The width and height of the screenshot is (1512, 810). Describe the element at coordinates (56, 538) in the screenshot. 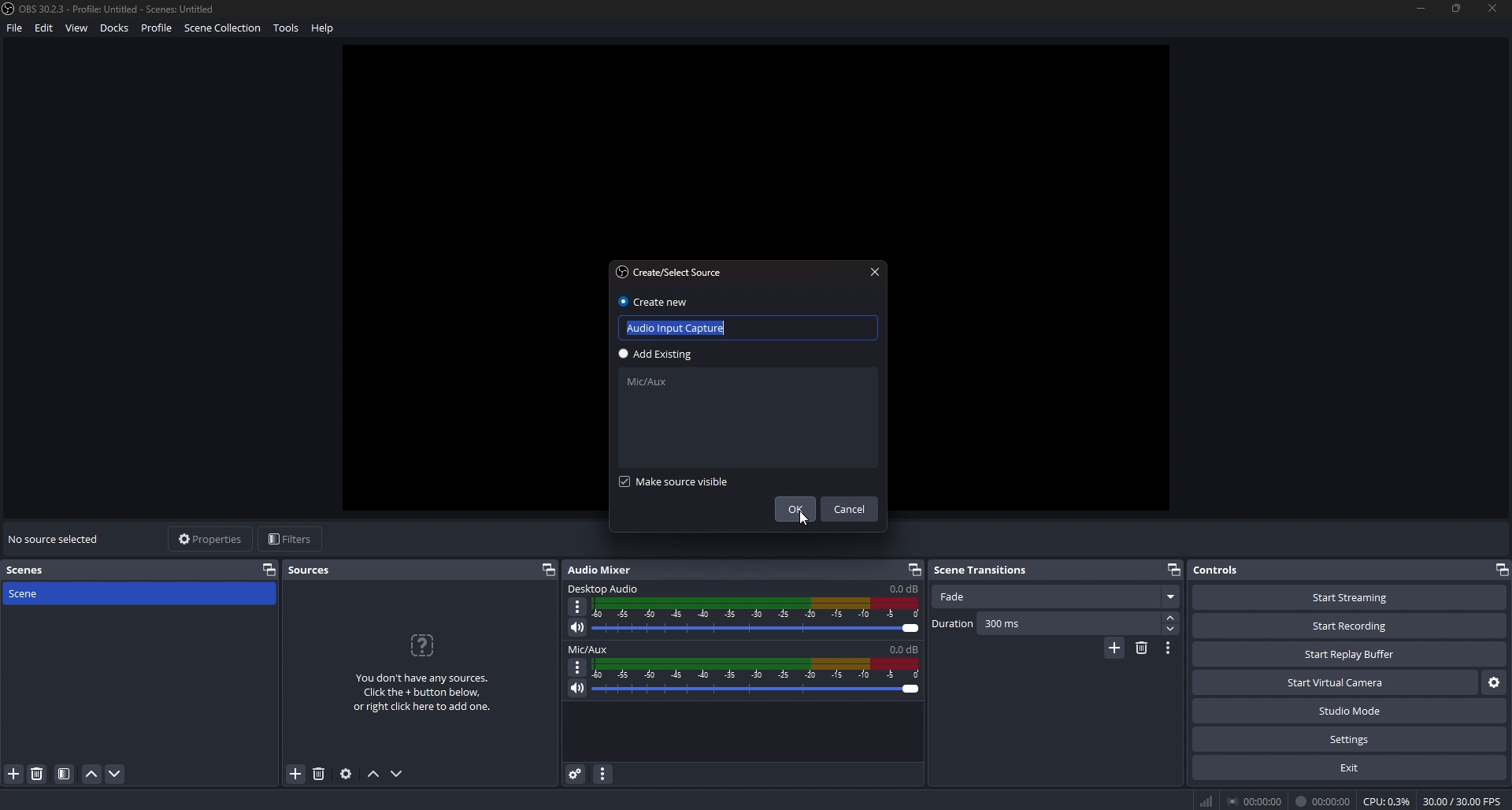

I see `no source selected` at that location.